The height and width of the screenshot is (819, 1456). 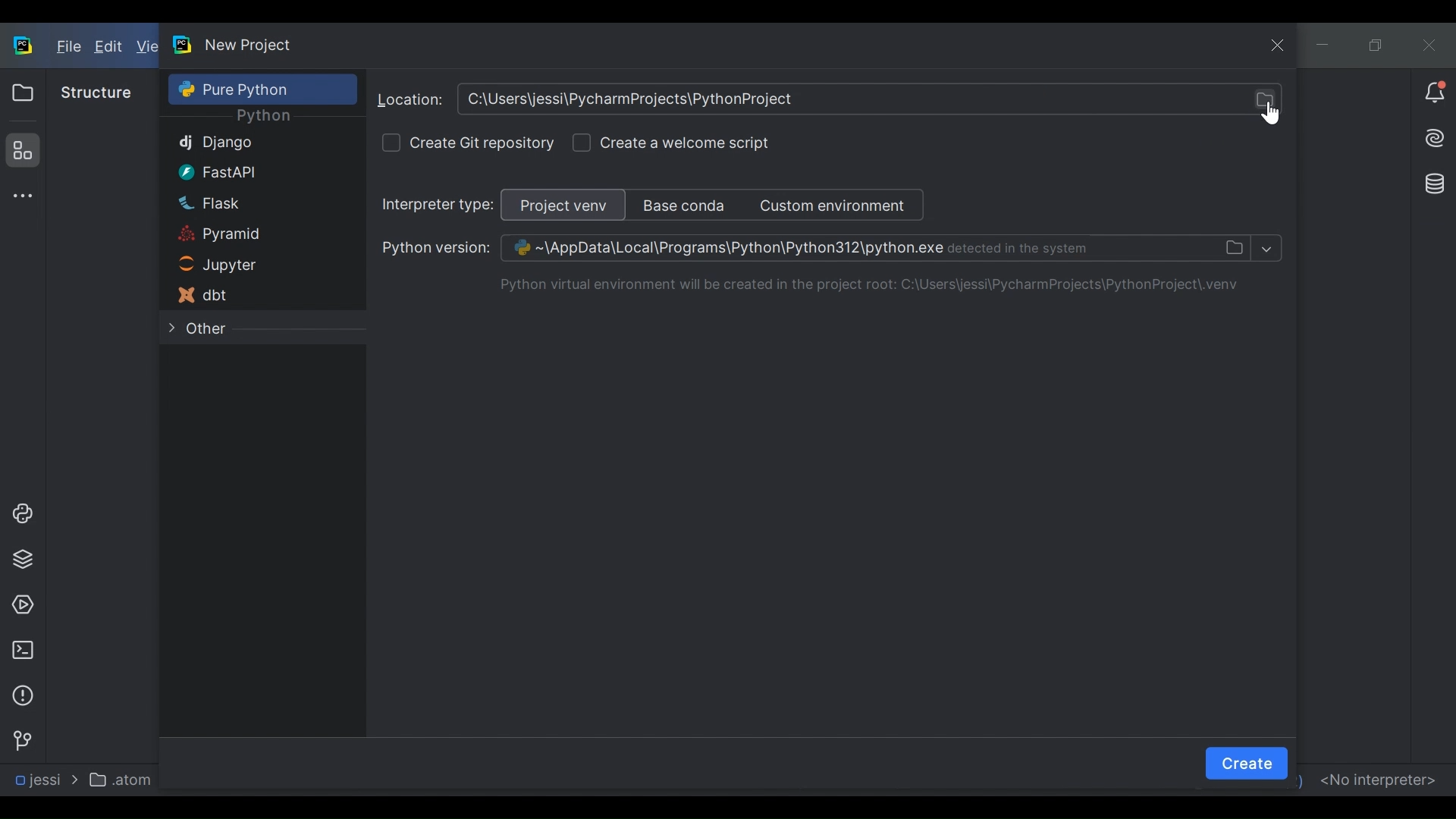 What do you see at coordinates (877, 286) in the screenshot?
I see `Python virtual environment will be created in the Project root. File Path` at bounding box center [877, 286].